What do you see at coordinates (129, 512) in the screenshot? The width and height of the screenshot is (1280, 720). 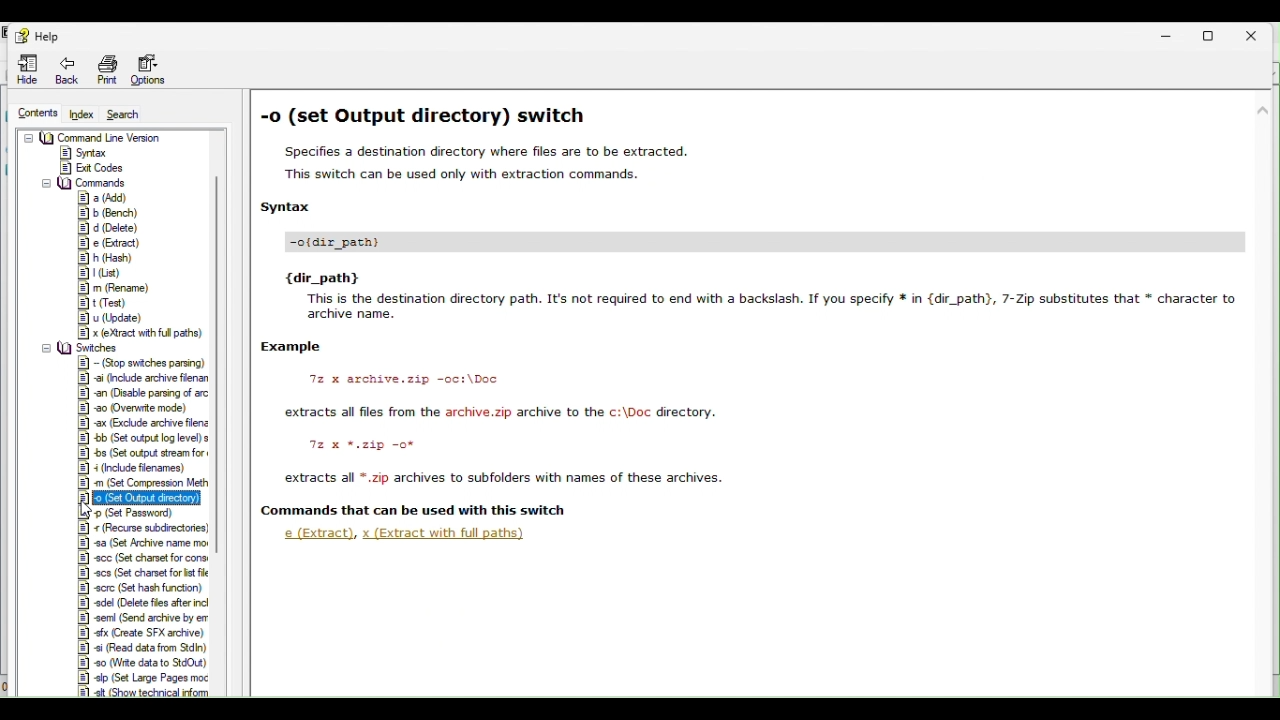 I see `Set password` at bounding box center [129, 512].